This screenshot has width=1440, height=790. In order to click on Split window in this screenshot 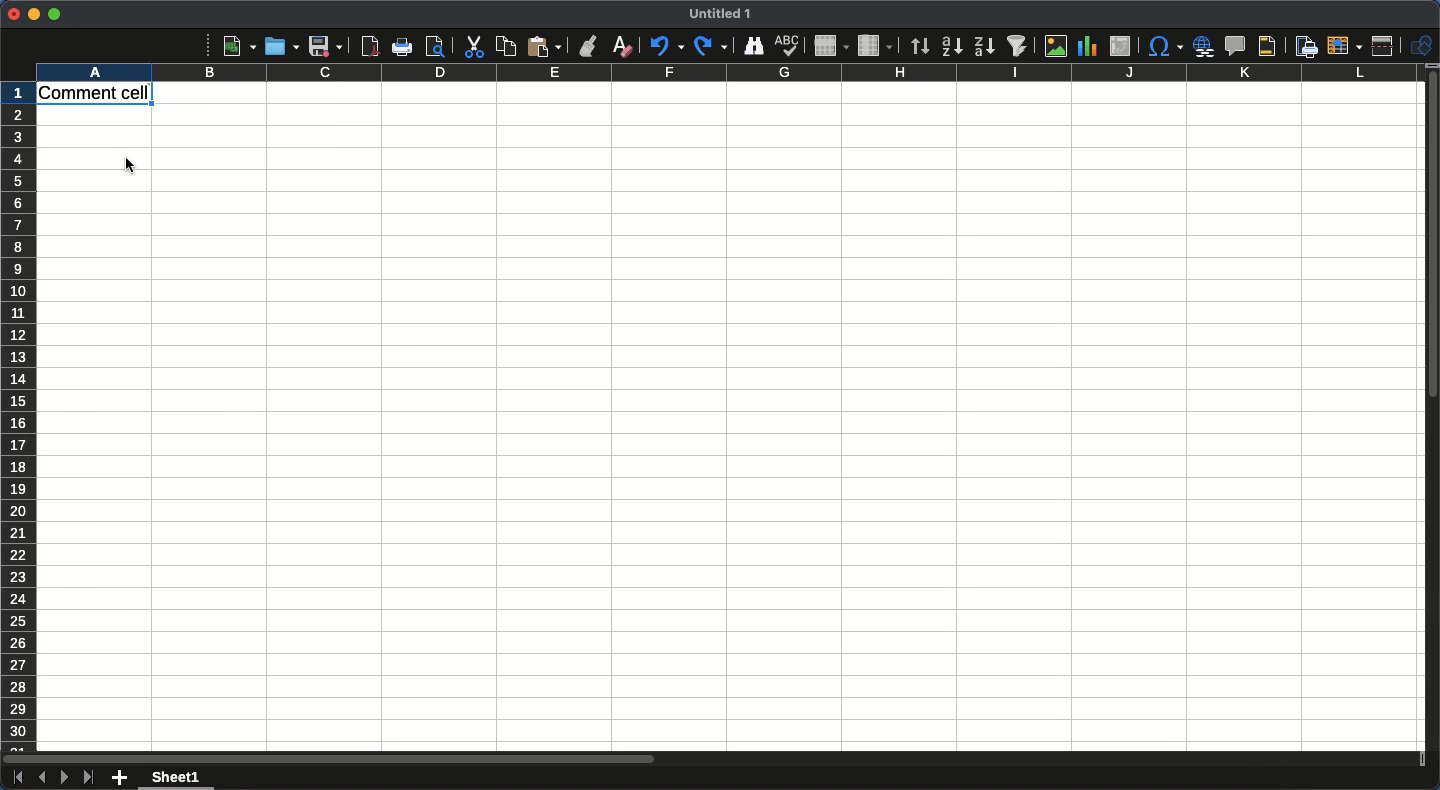, I will do `click(1383, 45)`.